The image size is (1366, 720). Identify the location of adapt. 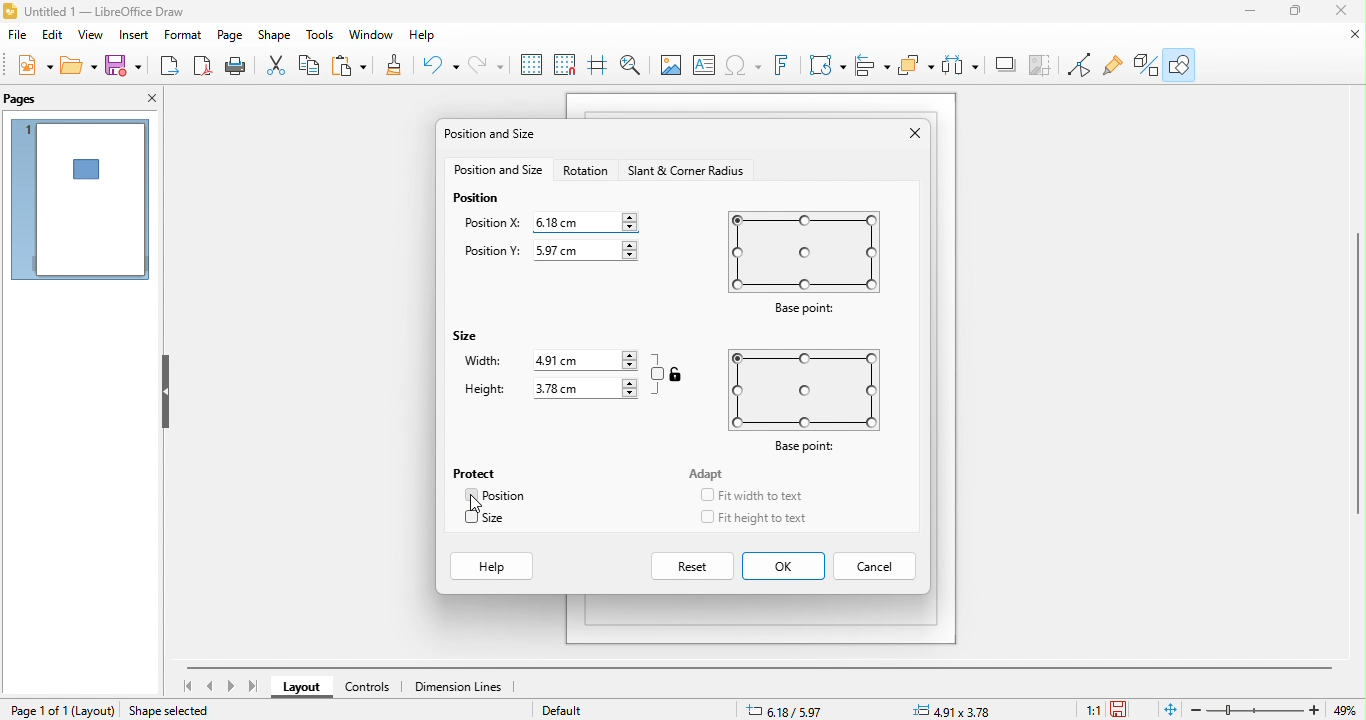
(709, 473).